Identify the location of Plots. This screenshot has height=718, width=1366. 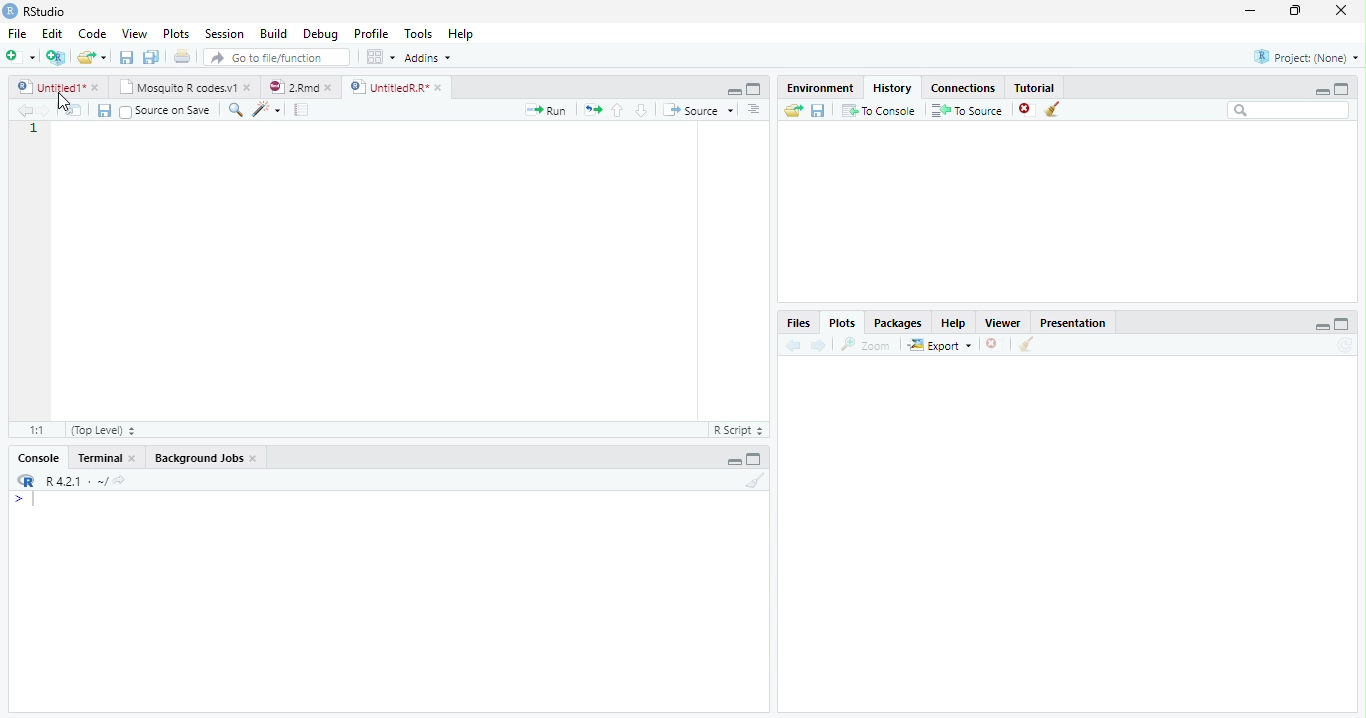
(177, 33).